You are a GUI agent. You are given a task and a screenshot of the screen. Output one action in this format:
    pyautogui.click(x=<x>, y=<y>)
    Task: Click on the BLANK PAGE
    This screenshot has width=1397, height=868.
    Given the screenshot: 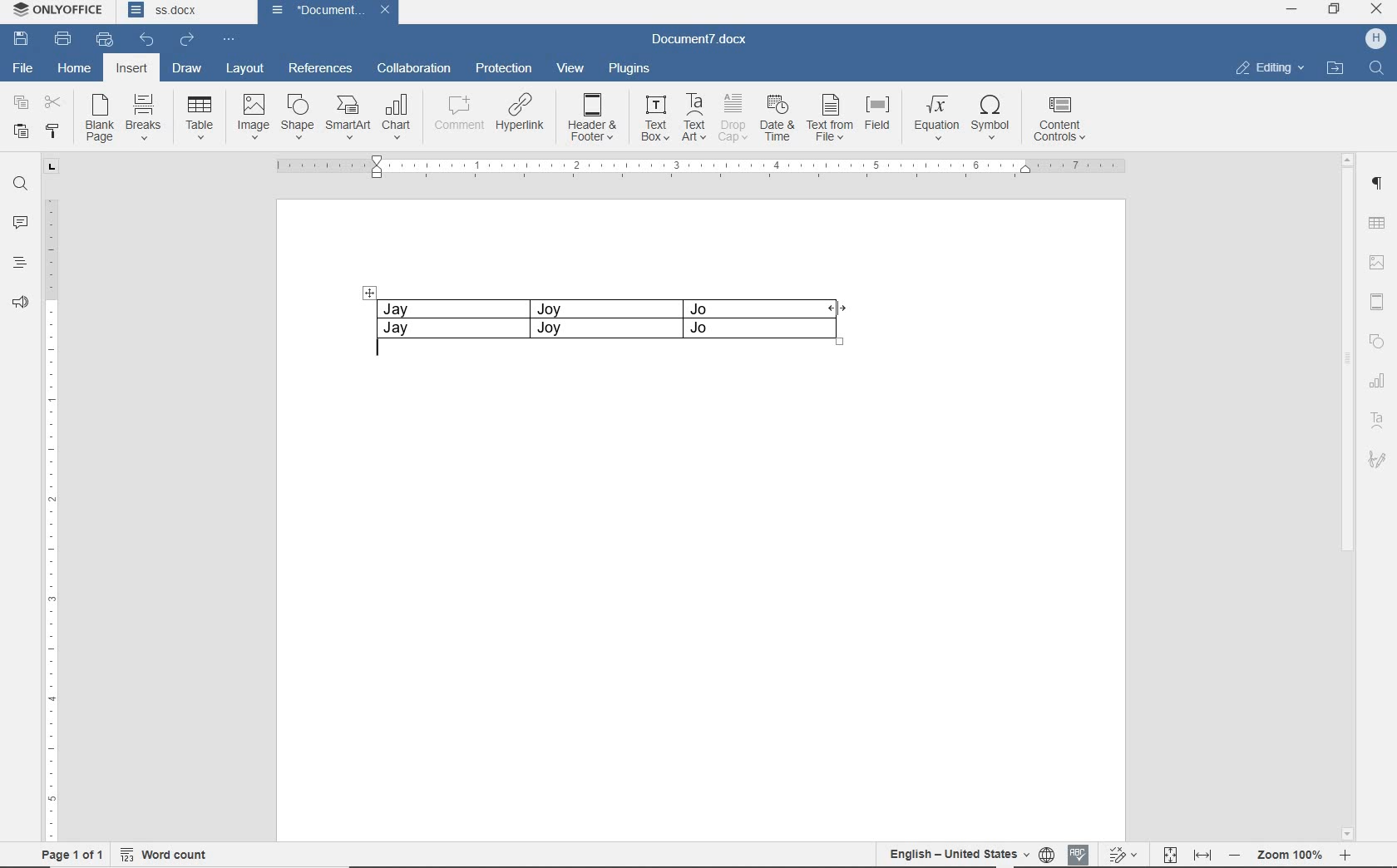 What is the action you would take?
    pyautogui.click(x=97, y=120)
    